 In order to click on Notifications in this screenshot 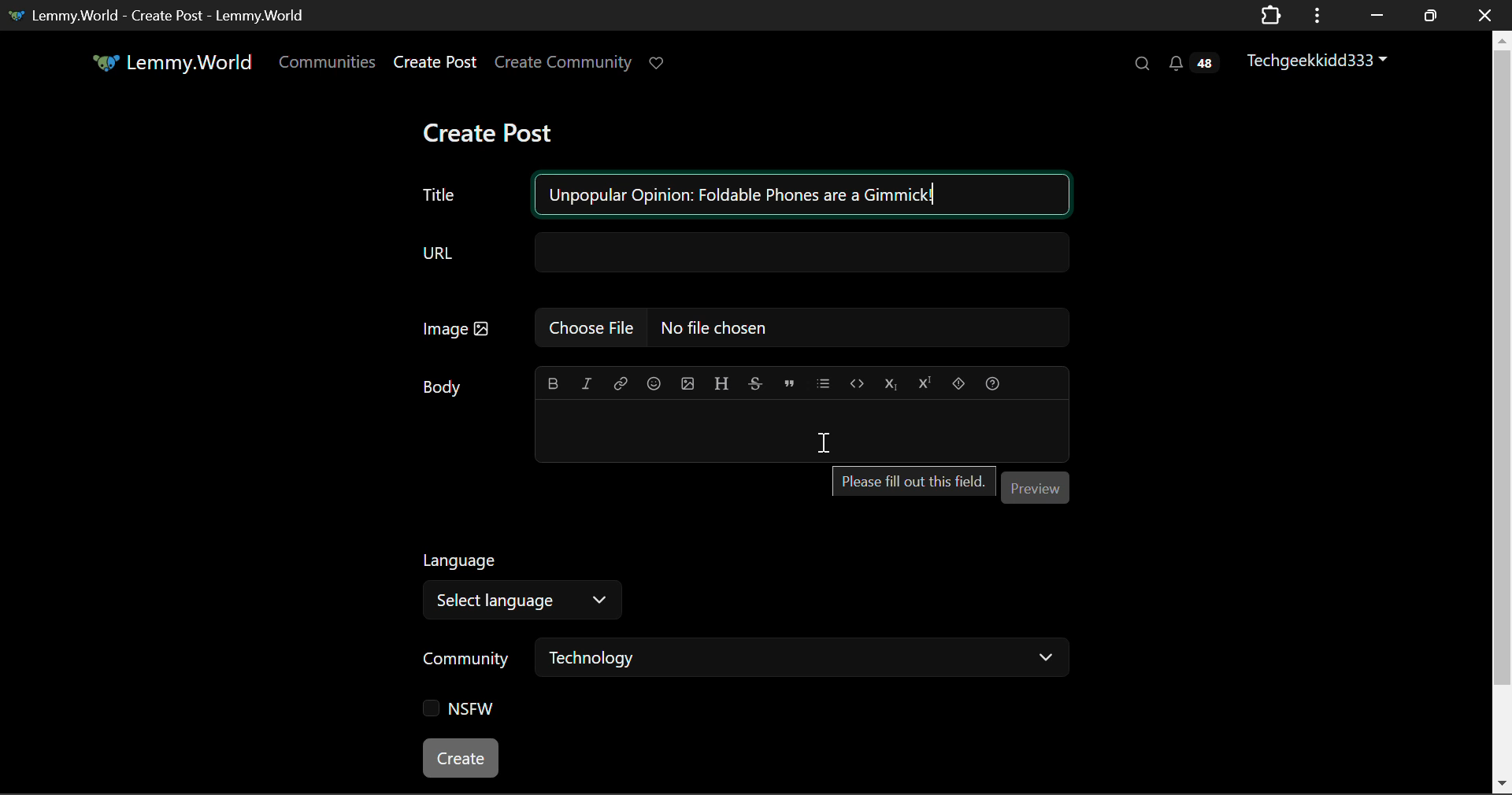, I will do `click(1192, 63)`.